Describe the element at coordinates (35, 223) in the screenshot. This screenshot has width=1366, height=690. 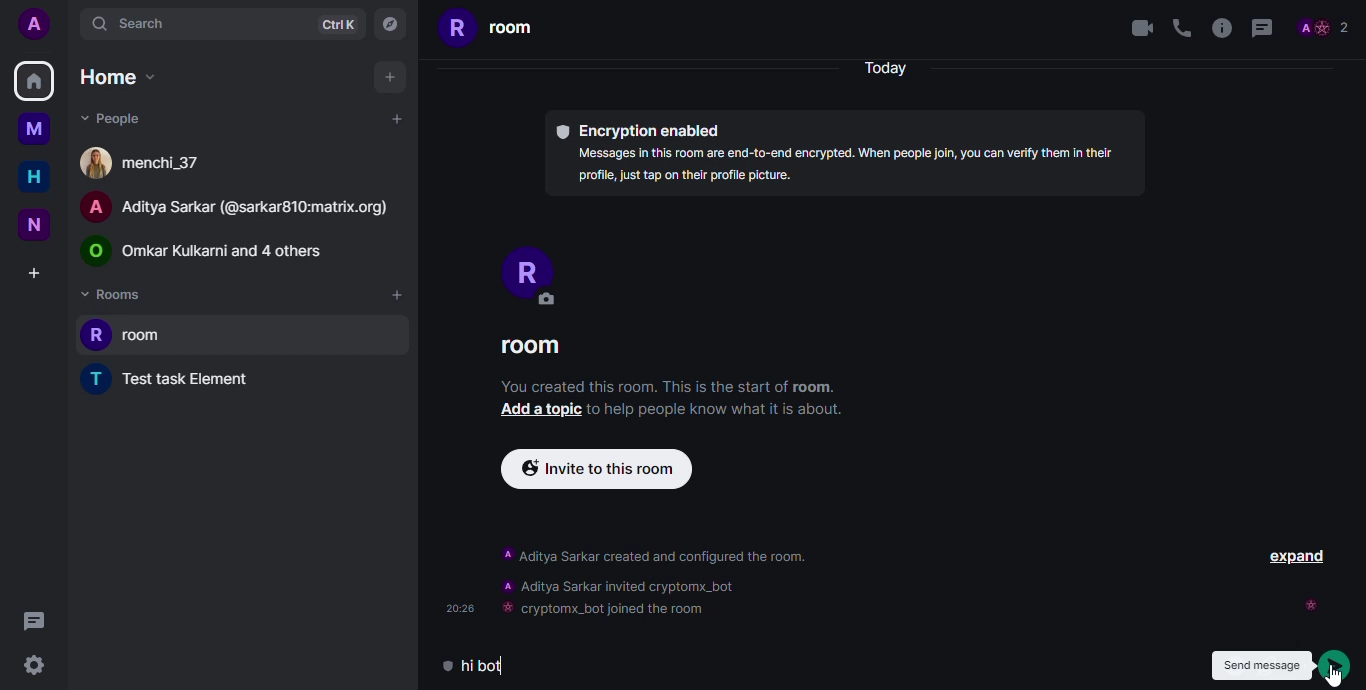
I see `new` at that location.